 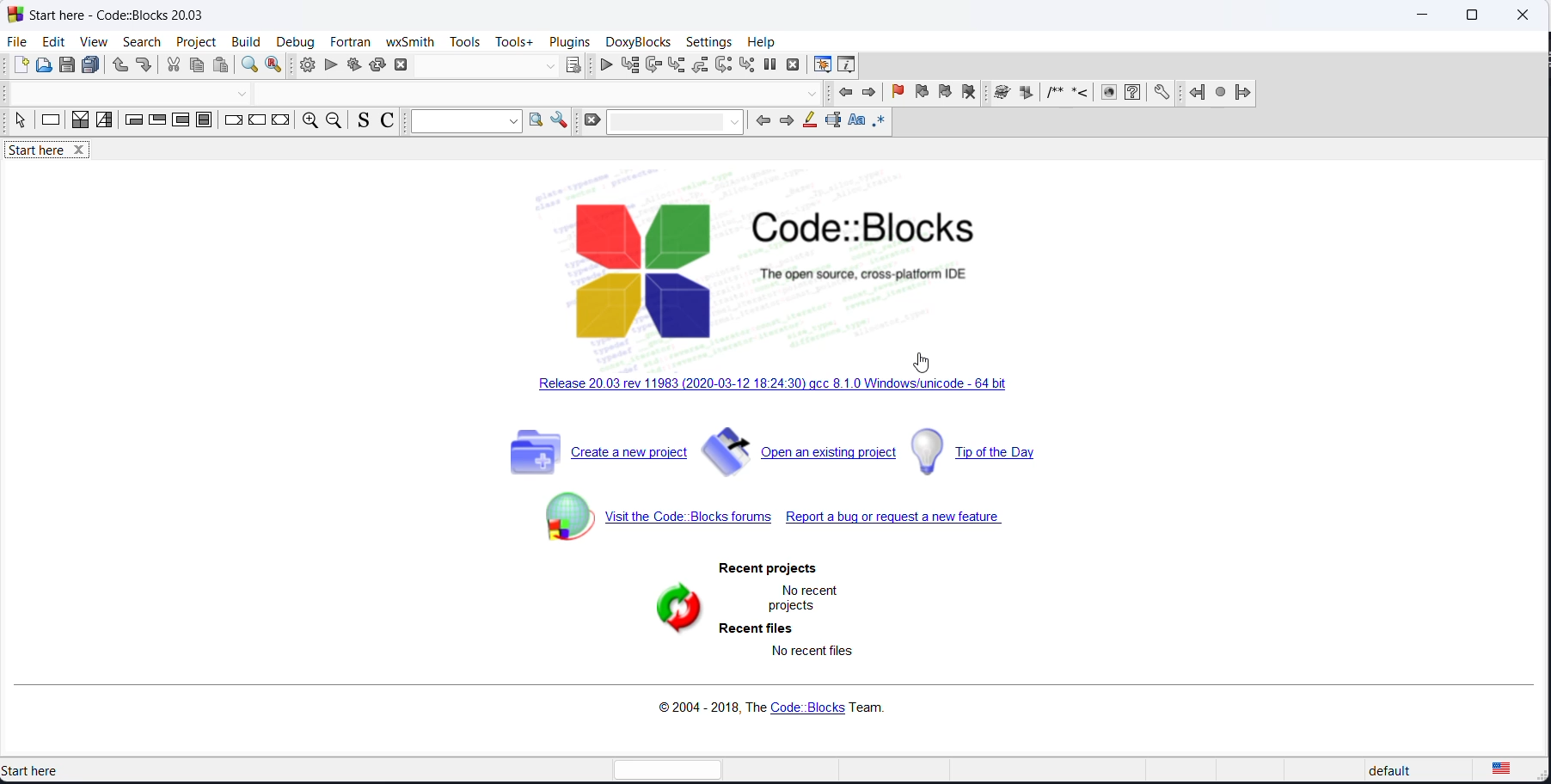 I want to click on continue debugging, so click(x=606, y=64).